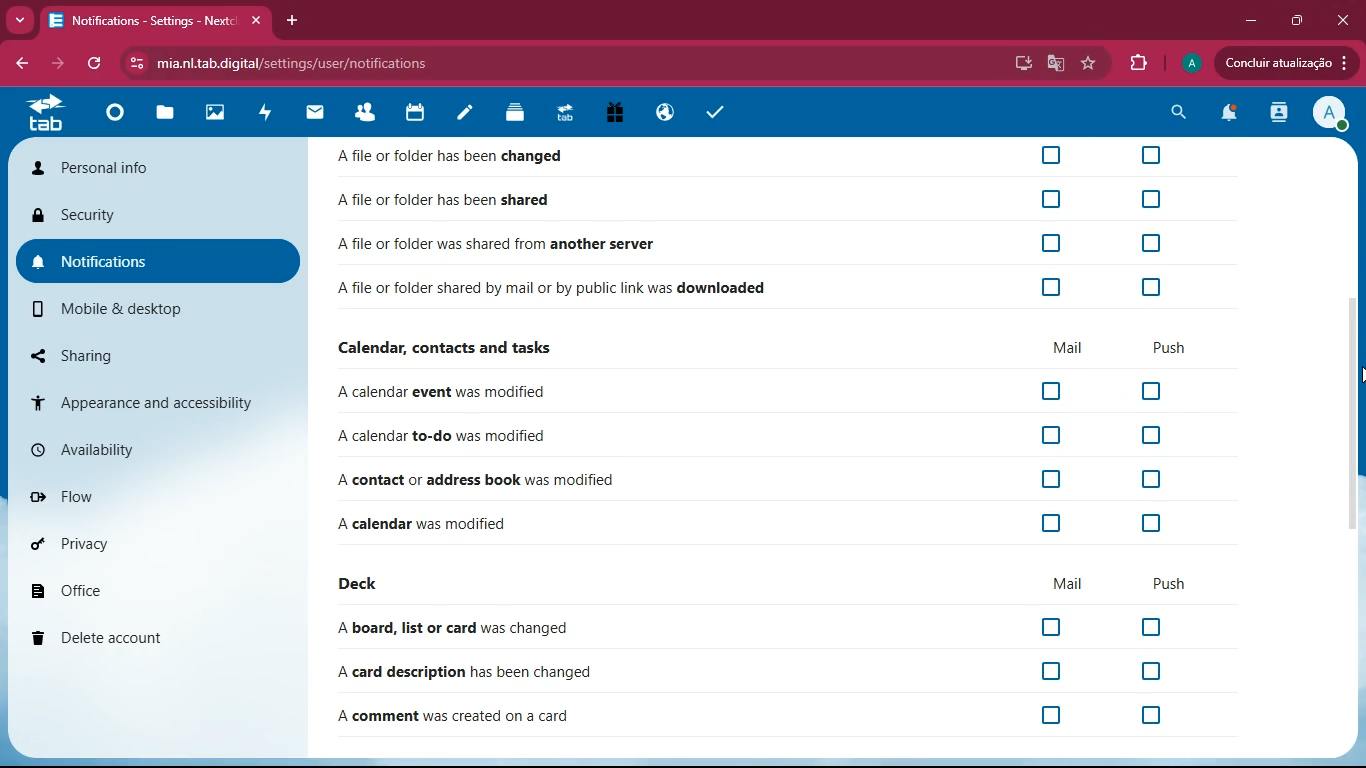 The width and height of the screenshot is (1366, 768). What do you see at coordinates (1159, 393) in the screenshot?
I see `off` at bounding box center [1159, 393].